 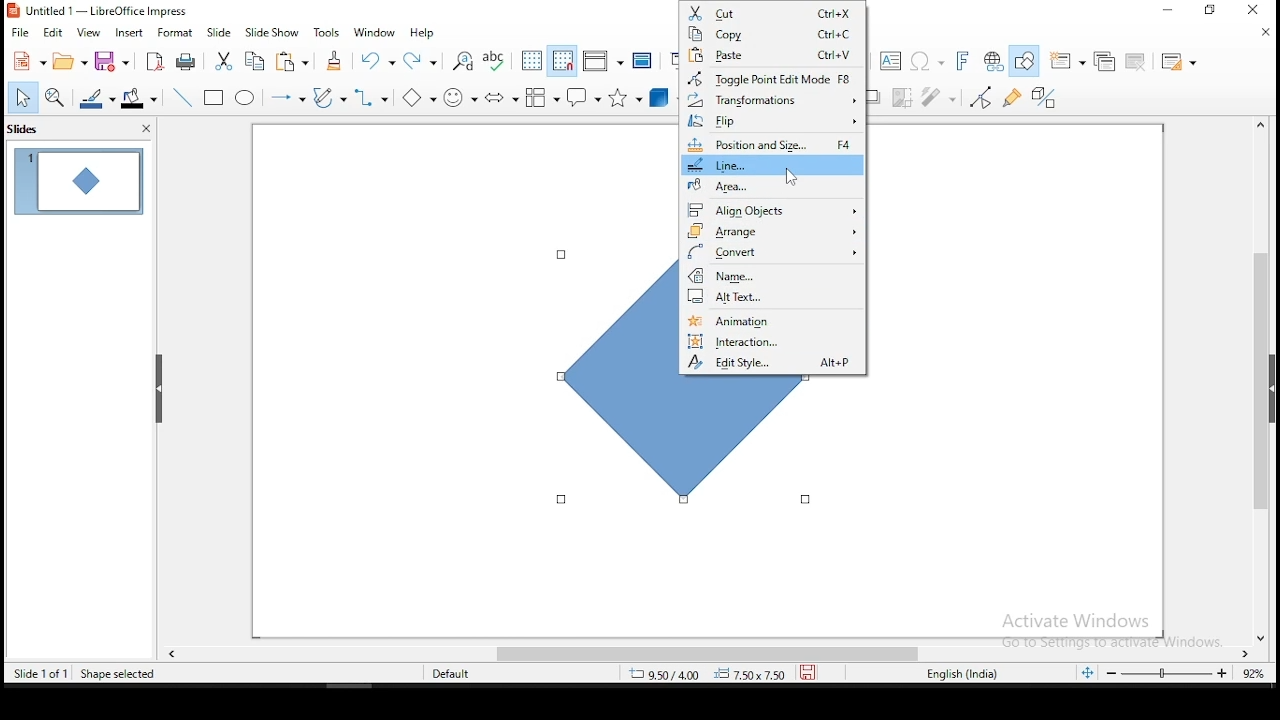 What do you see at coordinates (774, 121) in the screenshot?
I see `flip` at bounding box center [774, 121].